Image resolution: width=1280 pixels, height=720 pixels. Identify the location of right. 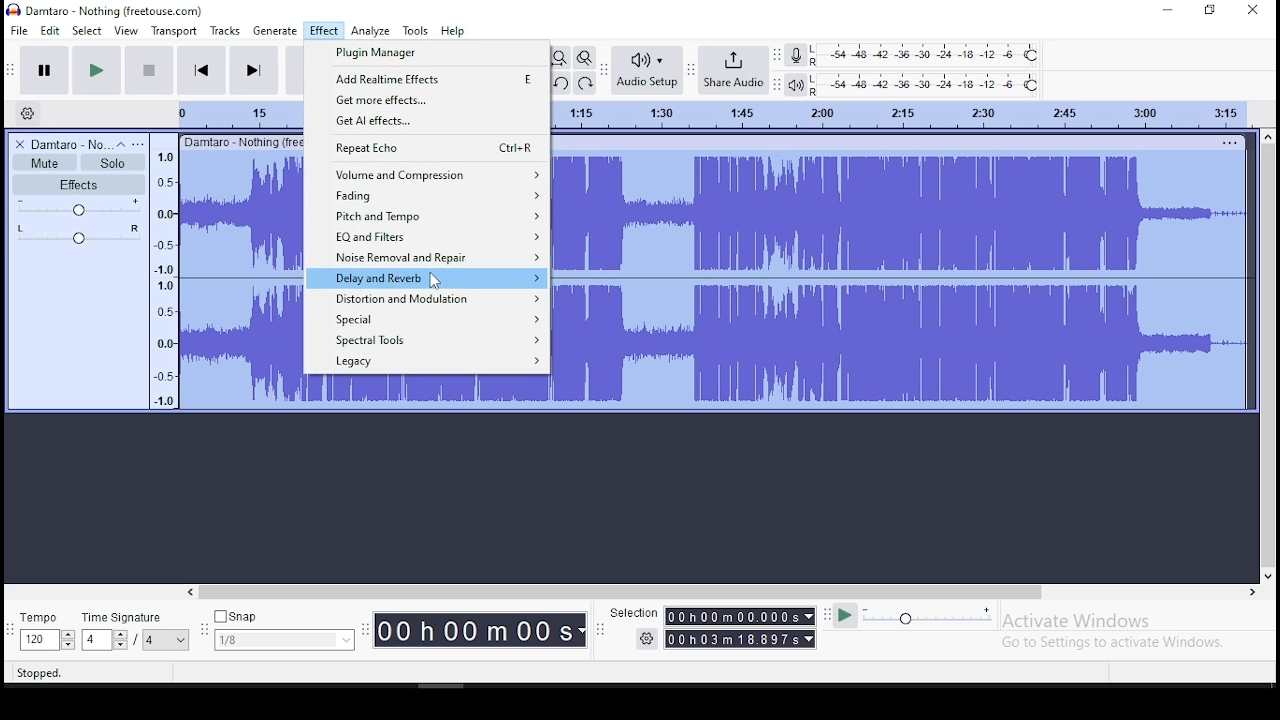
(1252, 591).